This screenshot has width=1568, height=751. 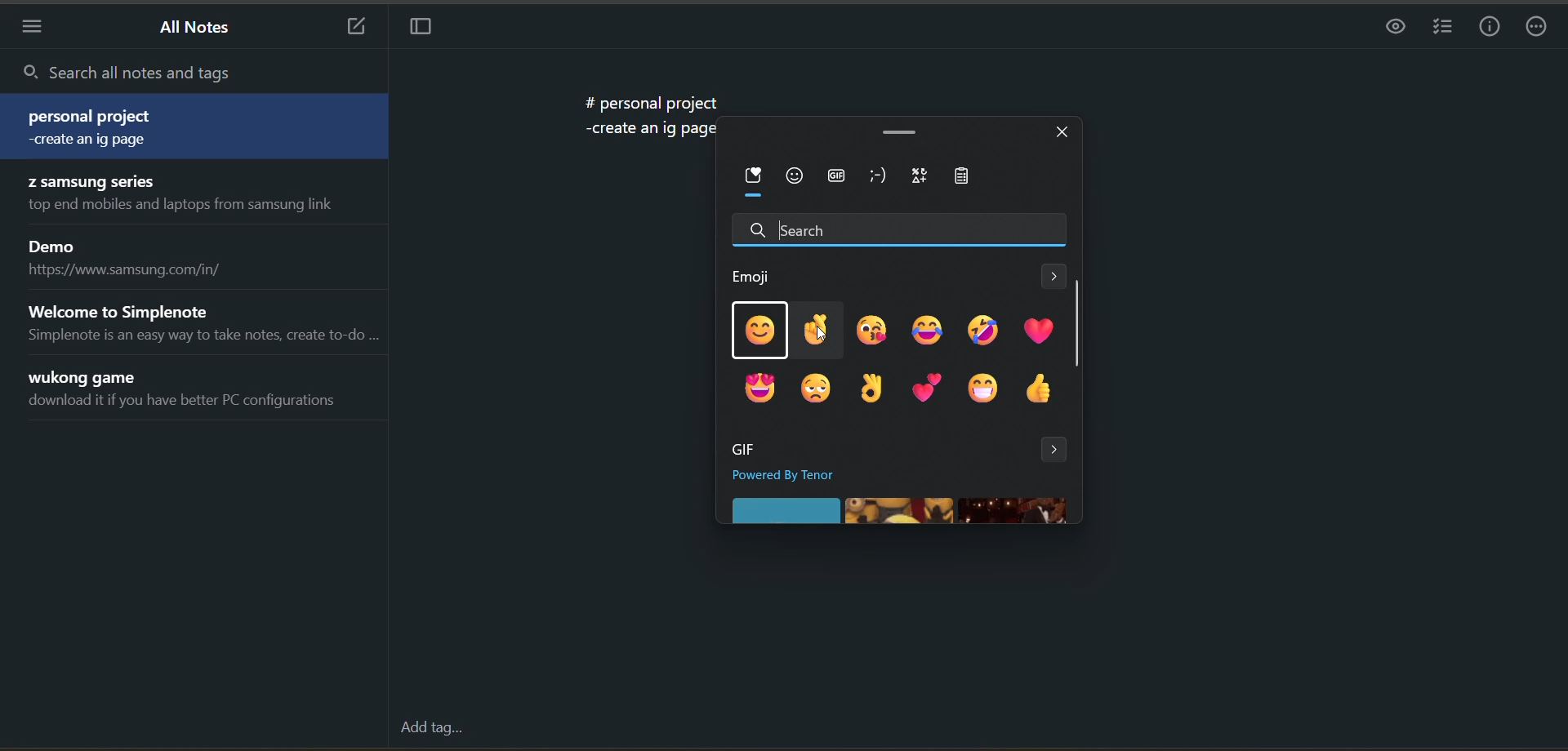 What do you see at coordinates (835, 177) in the screenshot?
I see `gif` at bounding box center [835, 177].